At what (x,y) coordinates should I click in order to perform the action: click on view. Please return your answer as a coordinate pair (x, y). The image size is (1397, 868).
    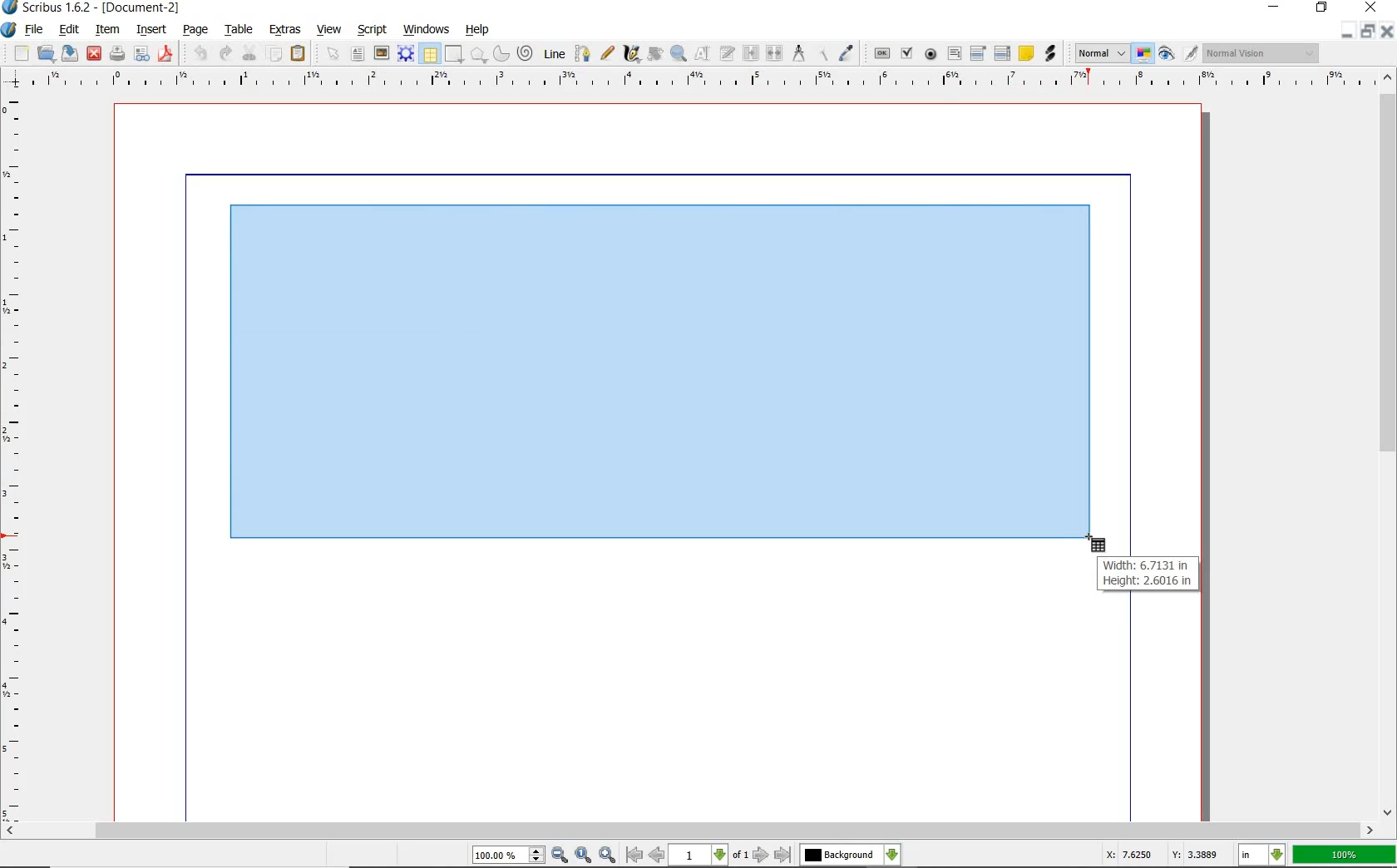
    Looking at the image, I should click on (329, 32).